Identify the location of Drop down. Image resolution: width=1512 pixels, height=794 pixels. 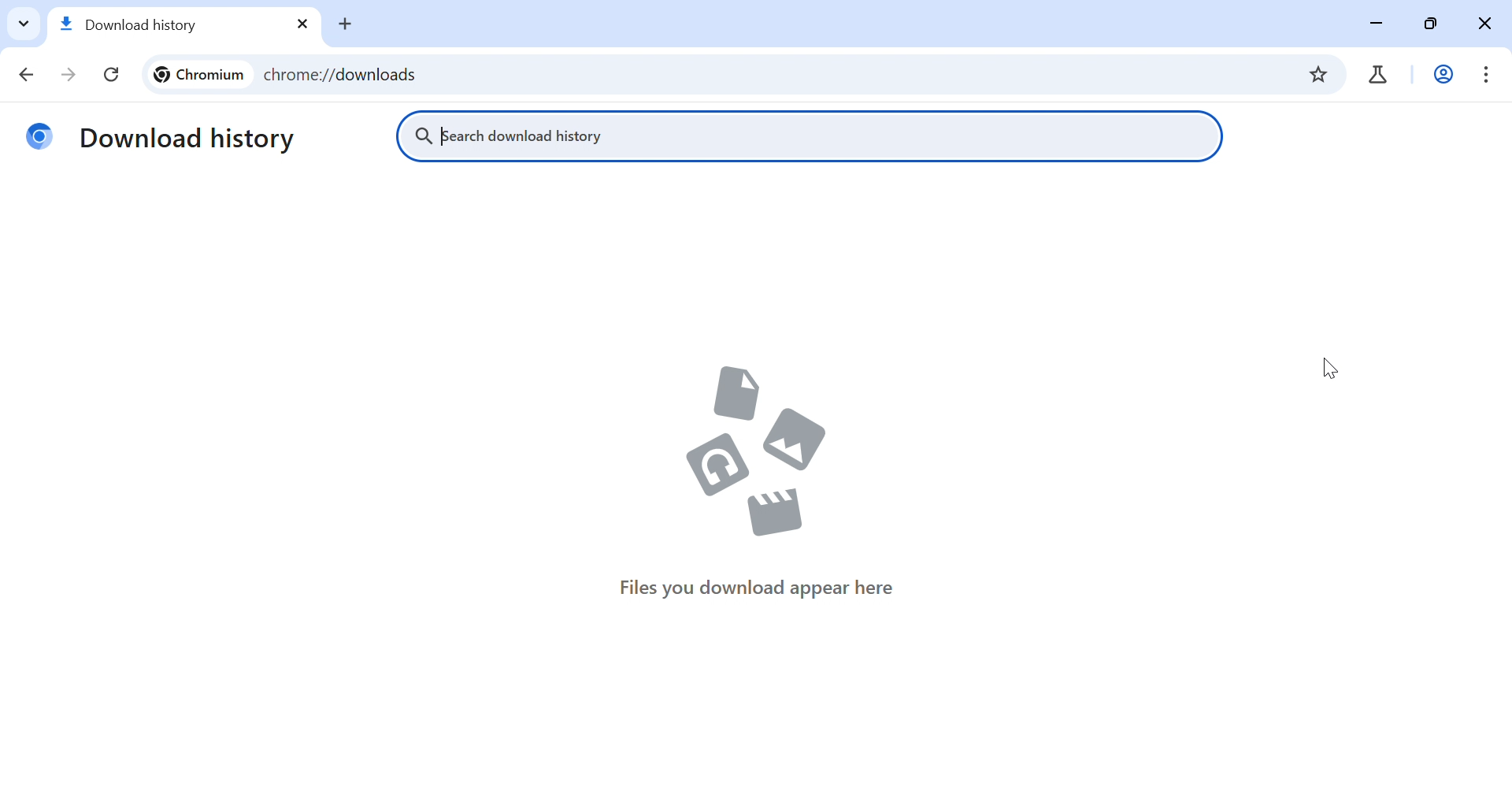
(24, 23).